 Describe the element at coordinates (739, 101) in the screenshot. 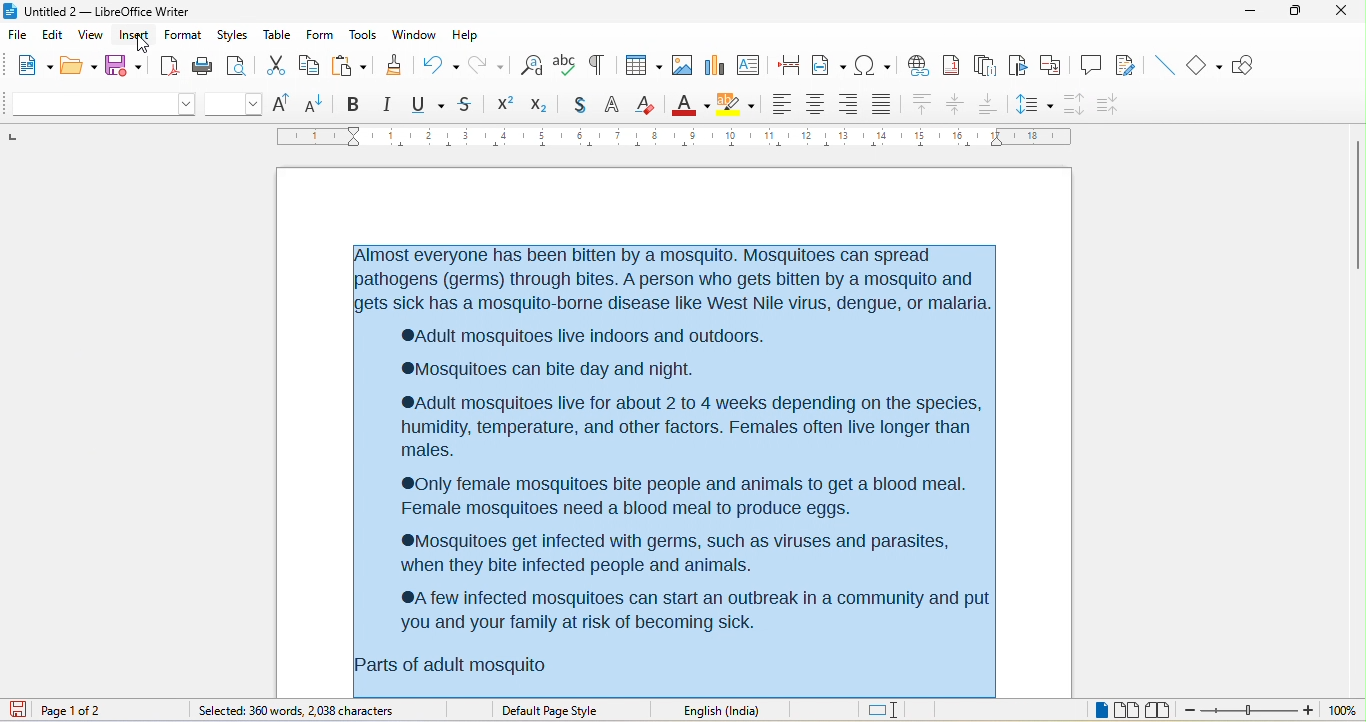

I see `background color` at that location.